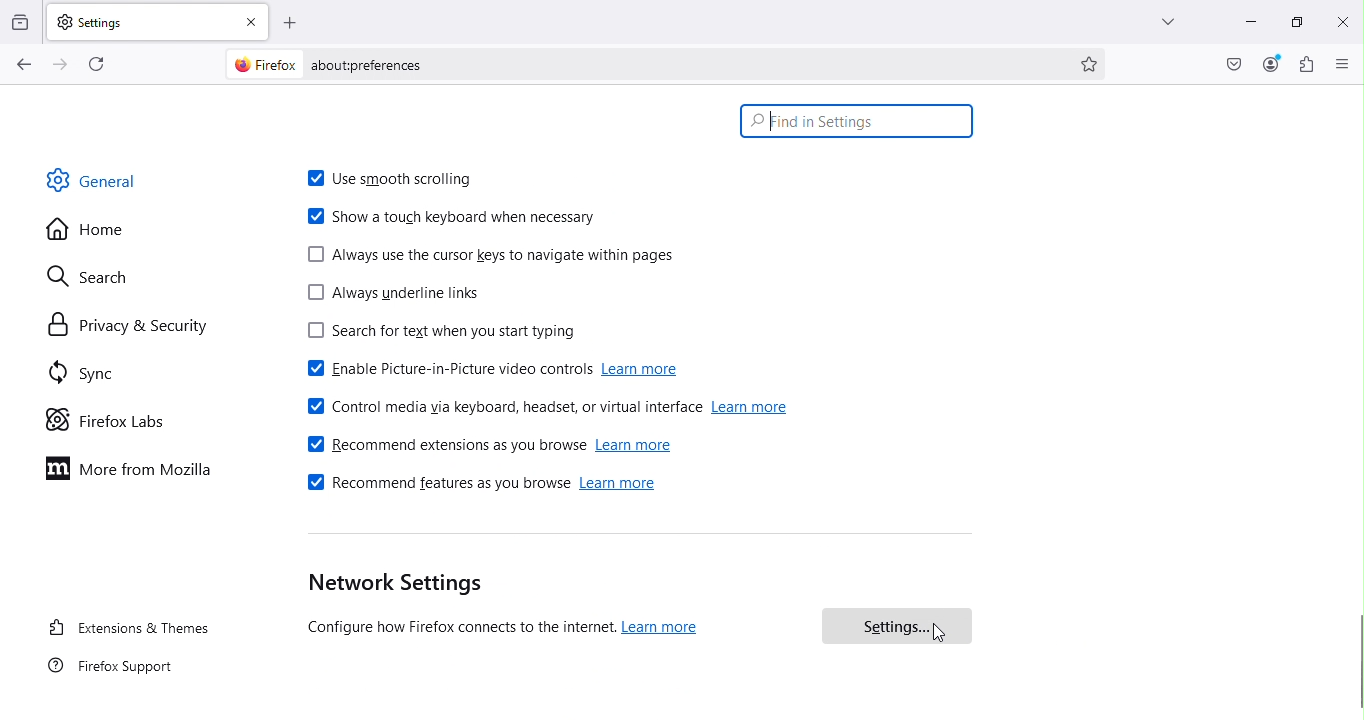 The height and width of the screenshot is (720, 1364). Describe the element at coordinates (1248, 21) in the screenshot. I see `Minimize` at that location.